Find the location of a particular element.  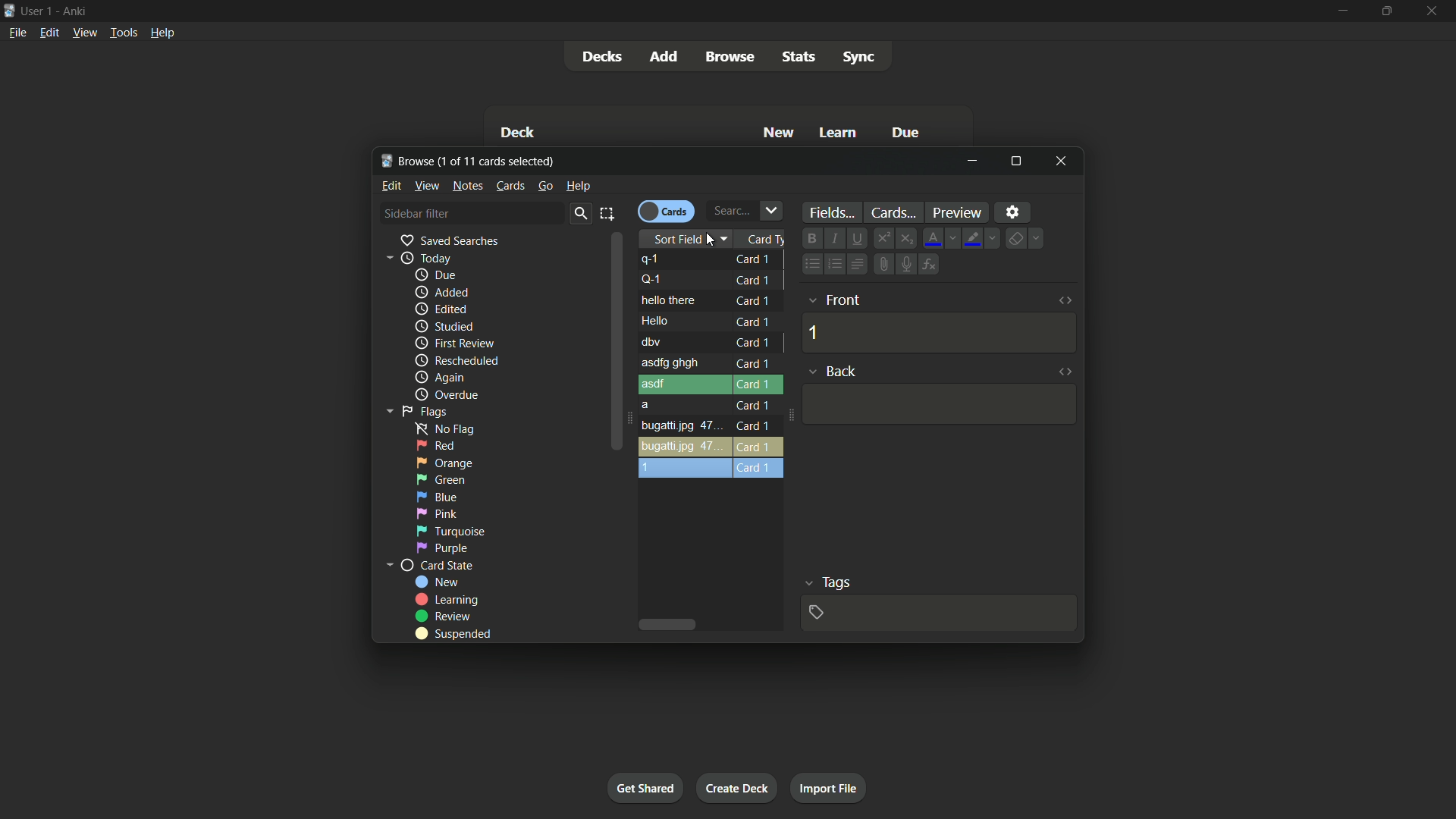

review is located at coordinates (447, 617).